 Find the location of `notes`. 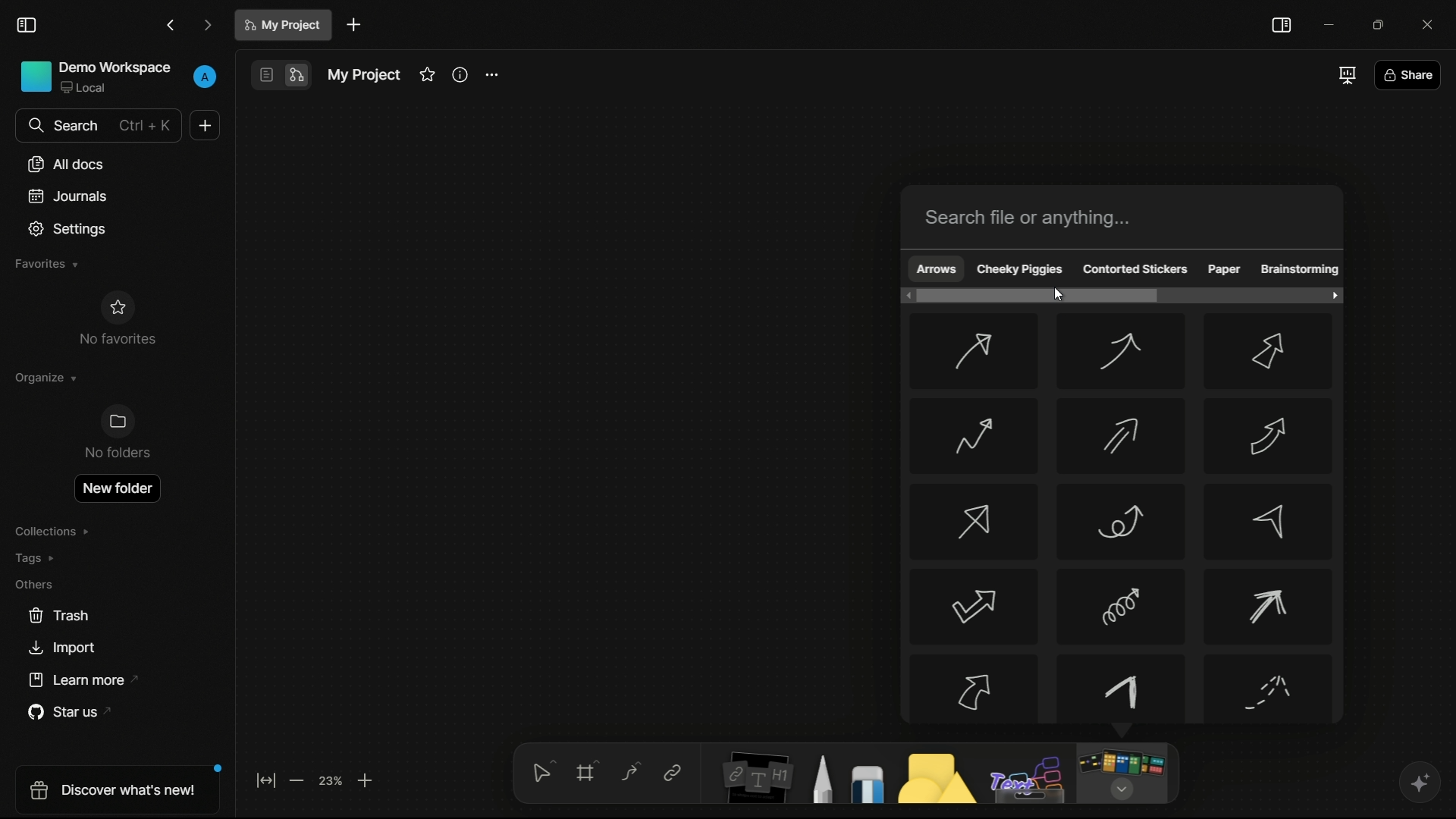

notes is located at coordinates (757, 777).